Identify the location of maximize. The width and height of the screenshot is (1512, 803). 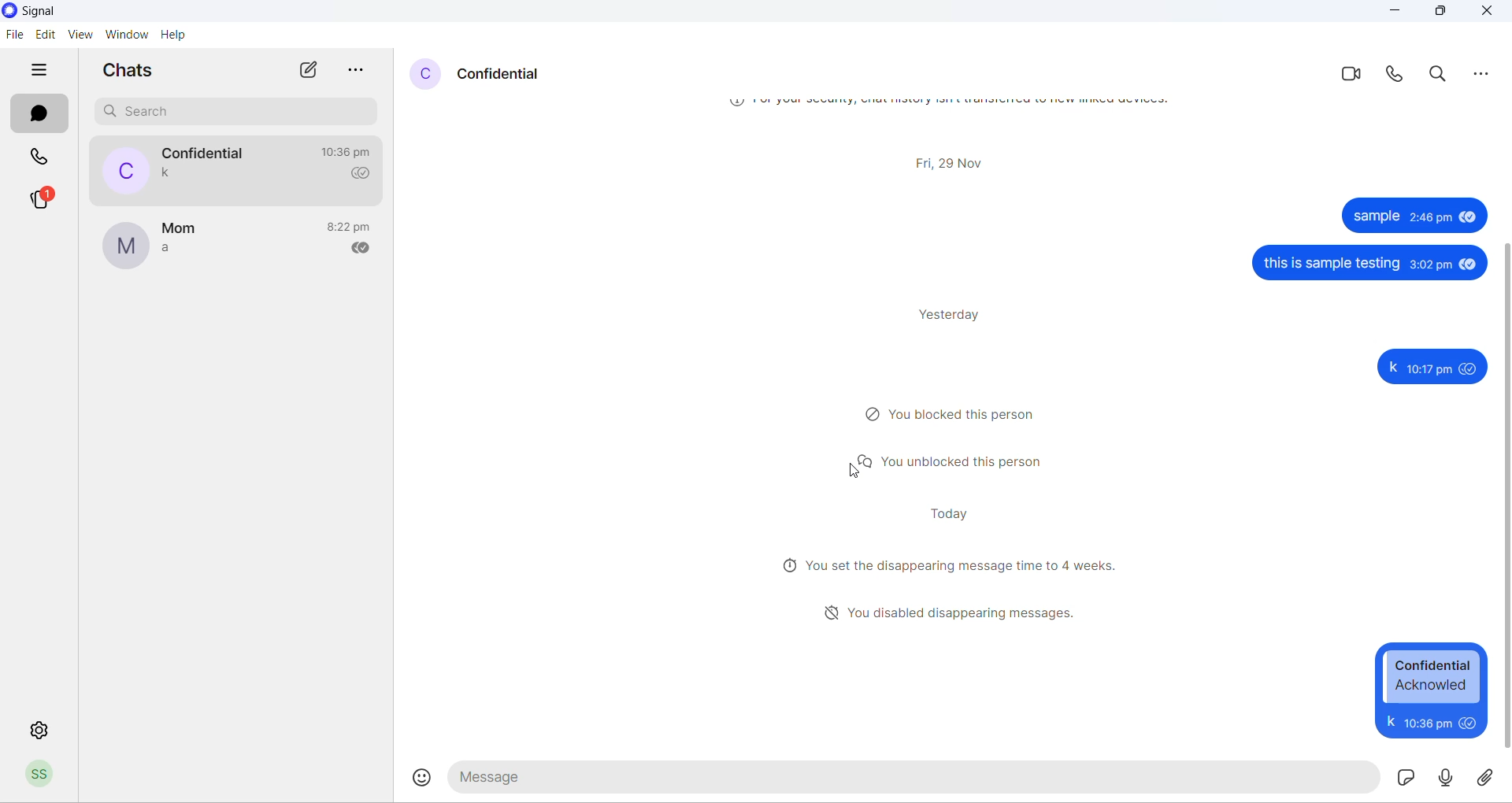
(1440, 12).